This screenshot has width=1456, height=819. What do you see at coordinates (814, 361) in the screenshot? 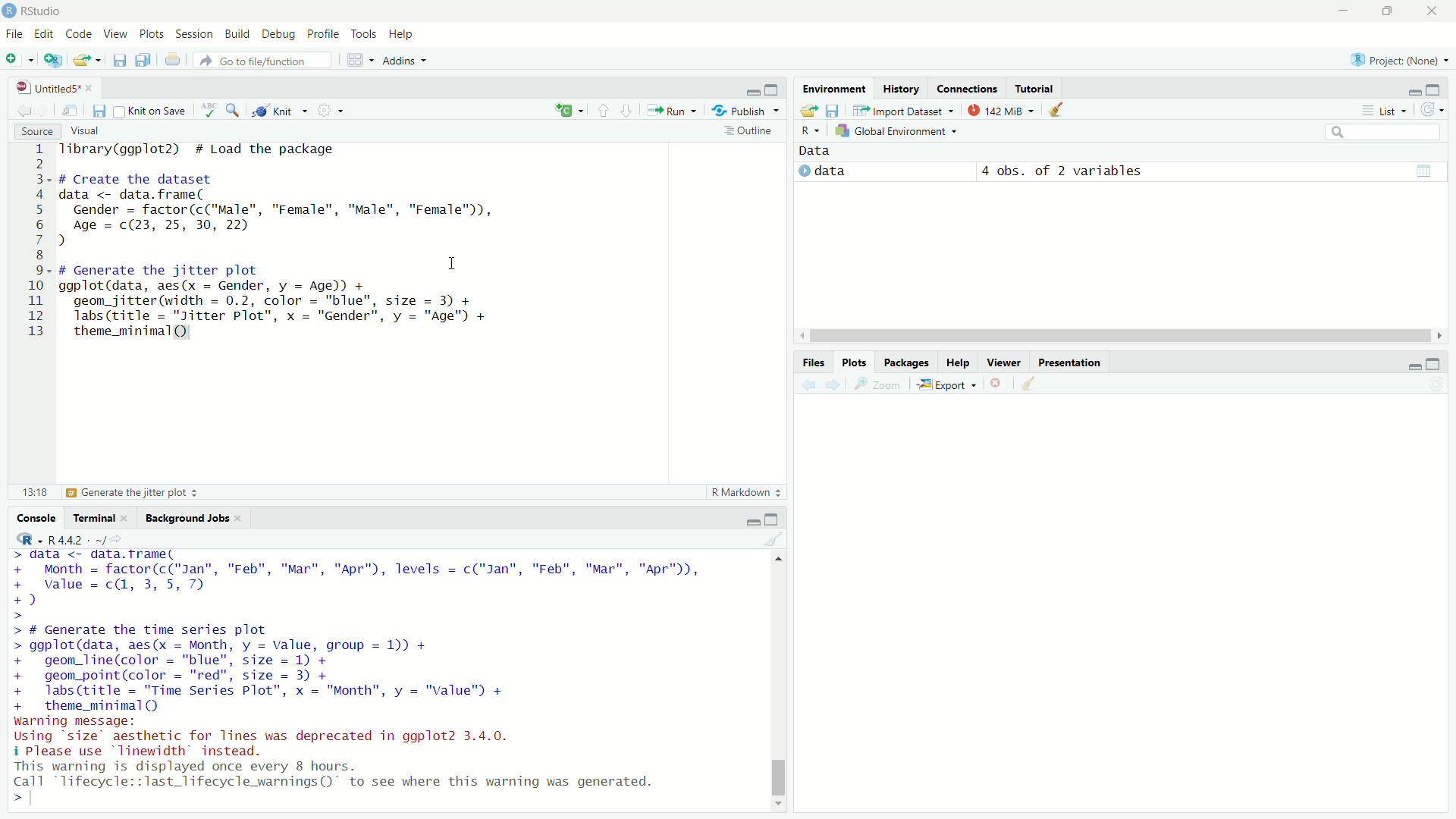
I see `files` at bounding box center [814, 361].